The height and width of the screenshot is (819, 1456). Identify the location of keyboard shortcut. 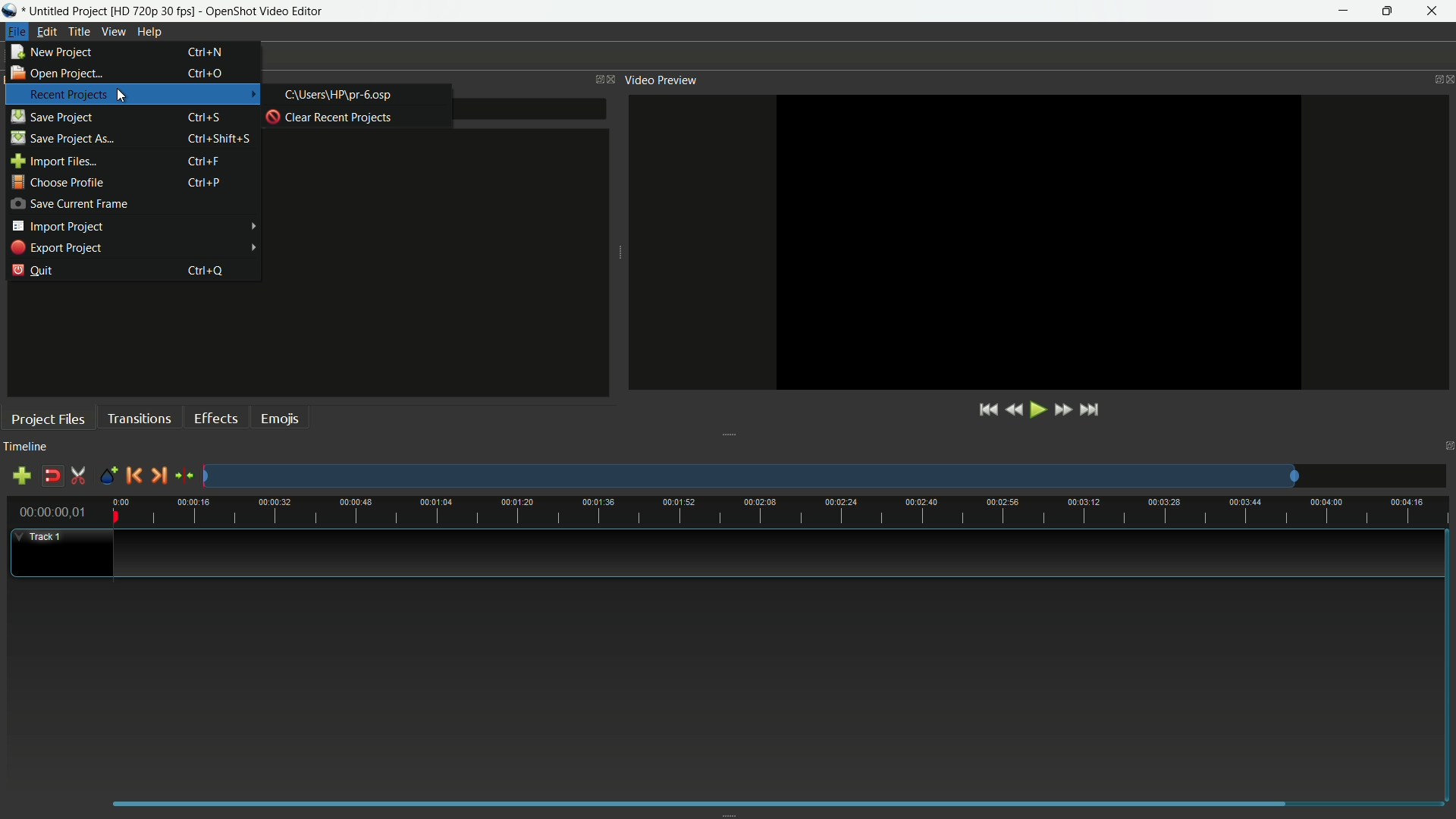
(206, 271).